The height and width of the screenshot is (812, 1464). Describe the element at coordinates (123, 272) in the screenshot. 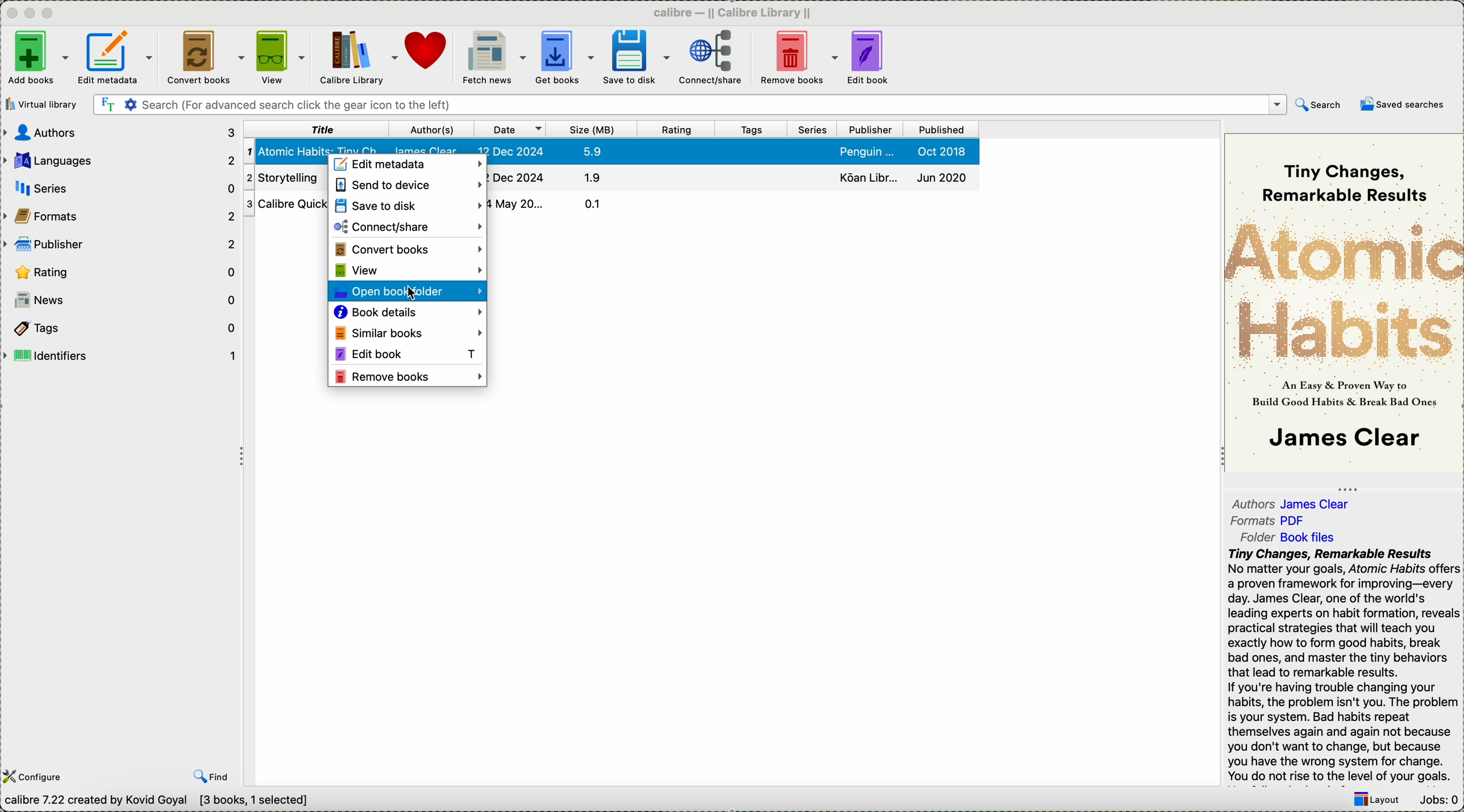

I see `rating` at that location.